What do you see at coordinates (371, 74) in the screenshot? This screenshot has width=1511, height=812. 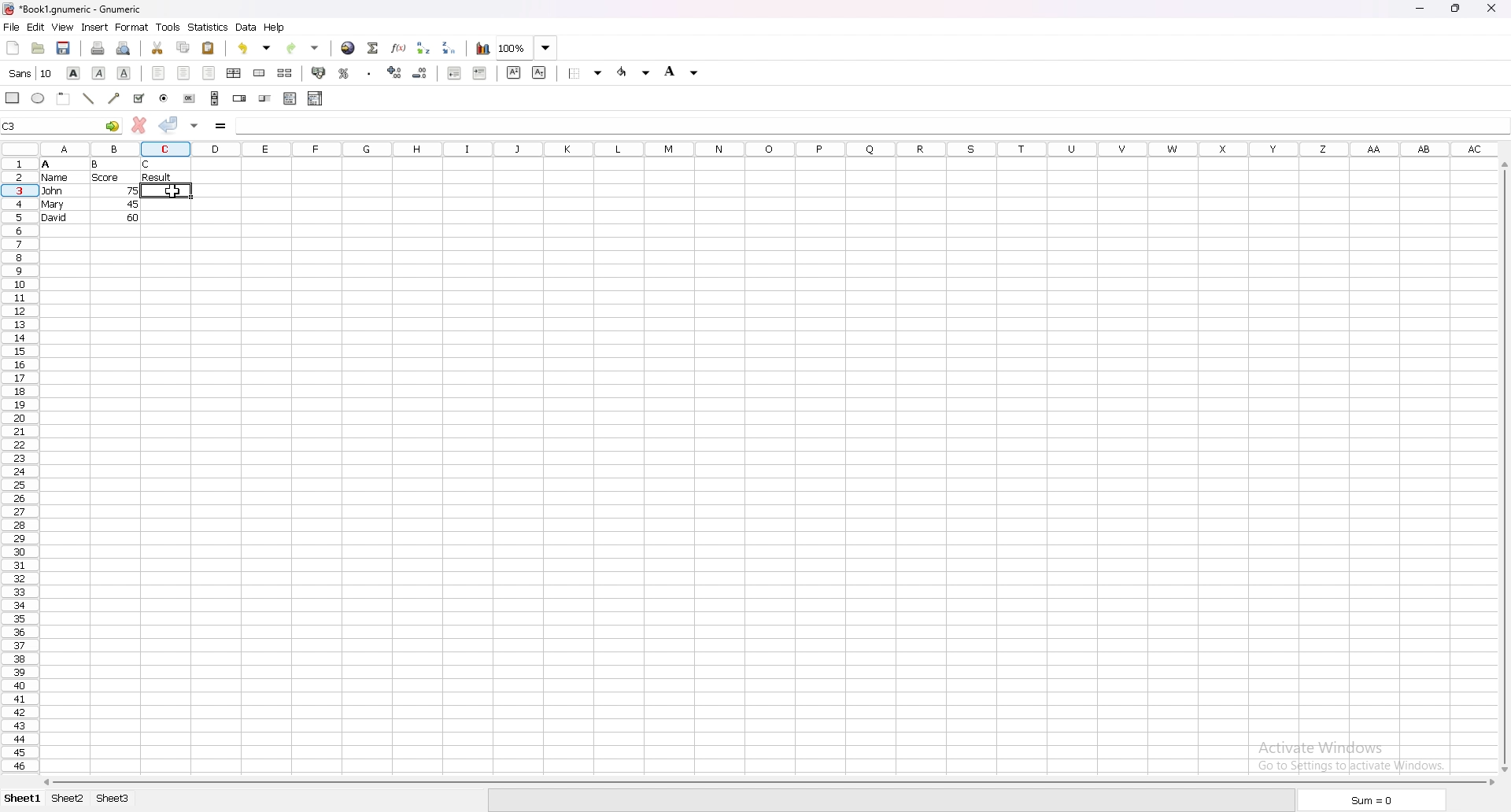 I see `thousand separator` at bounding box center [371, 74].